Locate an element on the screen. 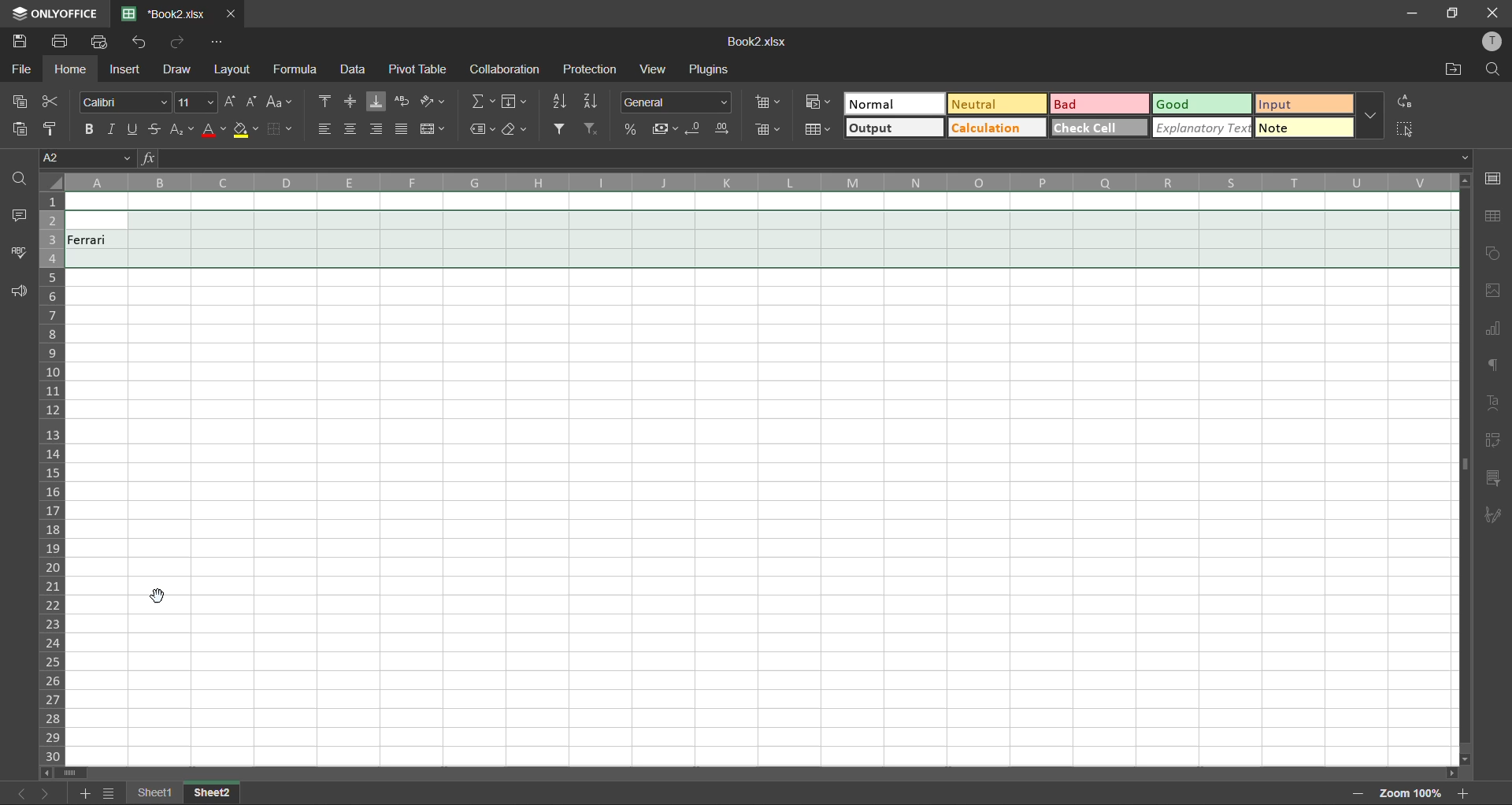 Image resolution: width=1512 pixels, height=805 pixels. neutral is located at coordinates (996, 105).